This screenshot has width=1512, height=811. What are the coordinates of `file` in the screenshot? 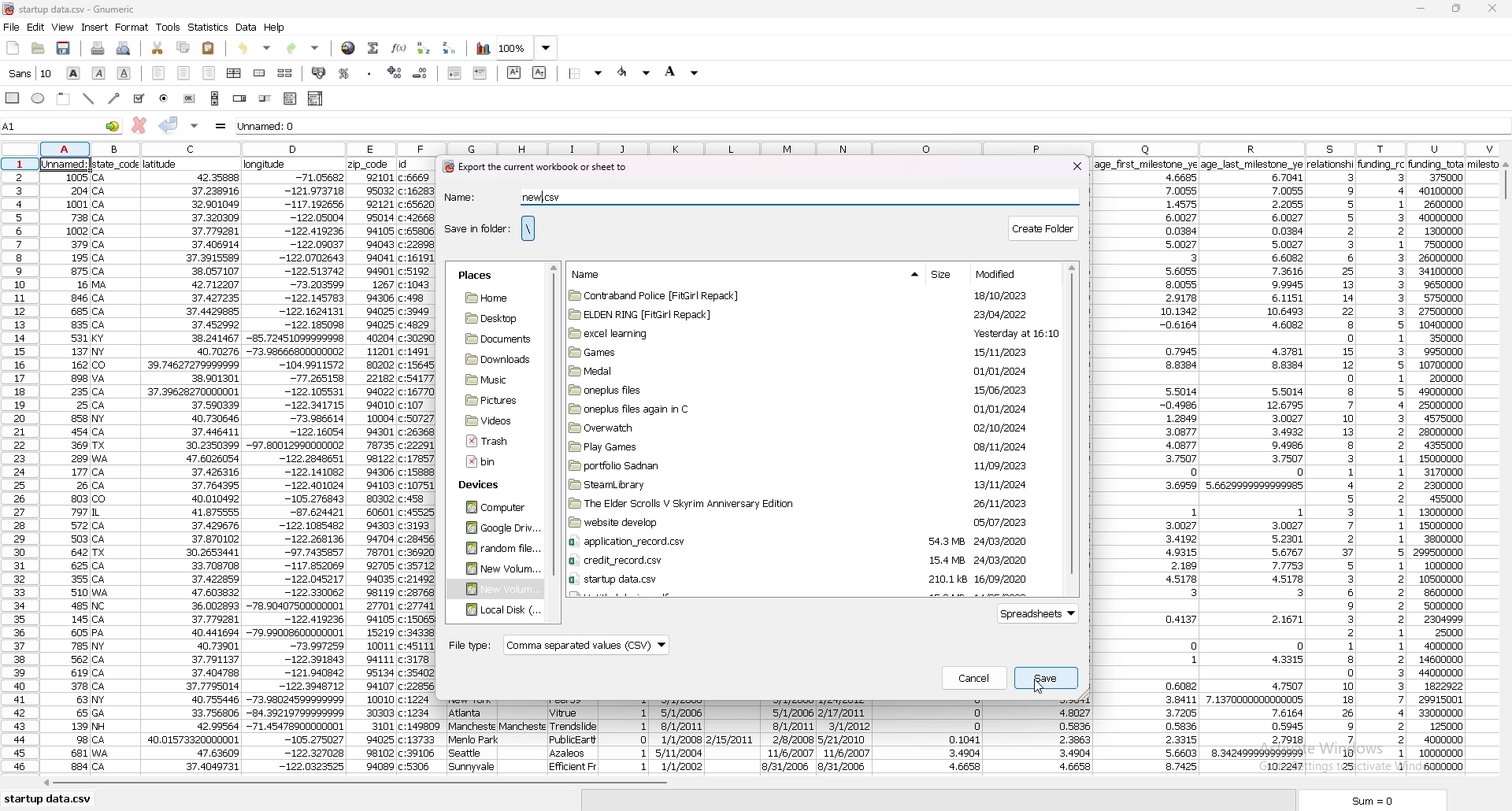 It's located at (487, 462).